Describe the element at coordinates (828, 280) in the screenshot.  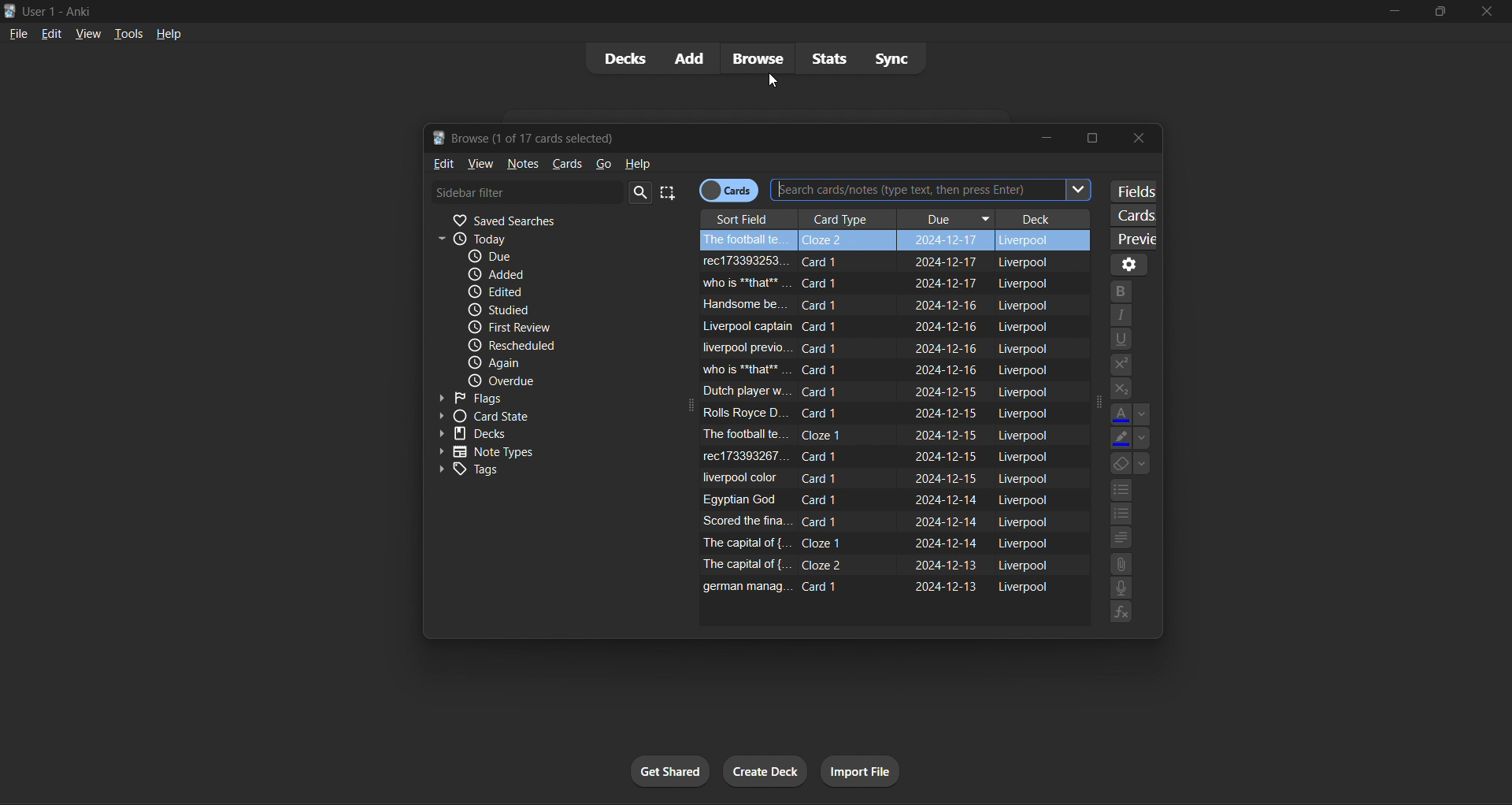
I see `card 1` at that location.